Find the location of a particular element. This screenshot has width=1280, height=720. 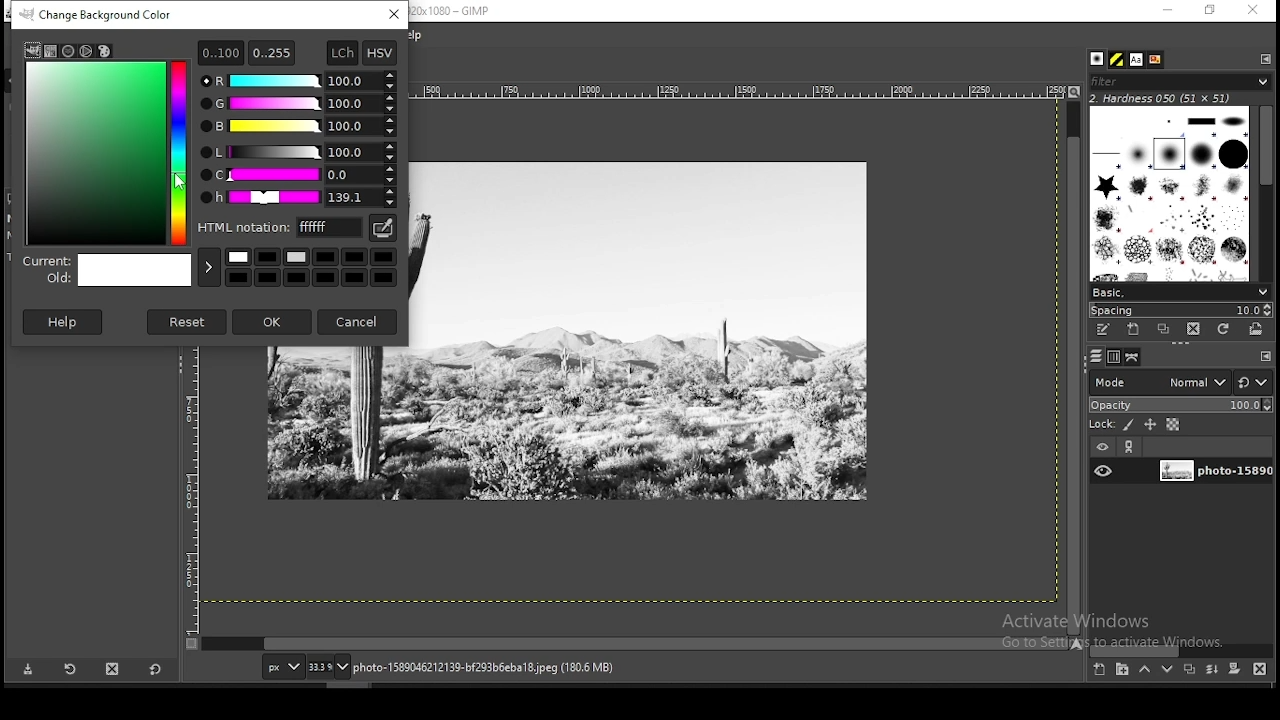

cmyk is located at coordinates (52, 52).